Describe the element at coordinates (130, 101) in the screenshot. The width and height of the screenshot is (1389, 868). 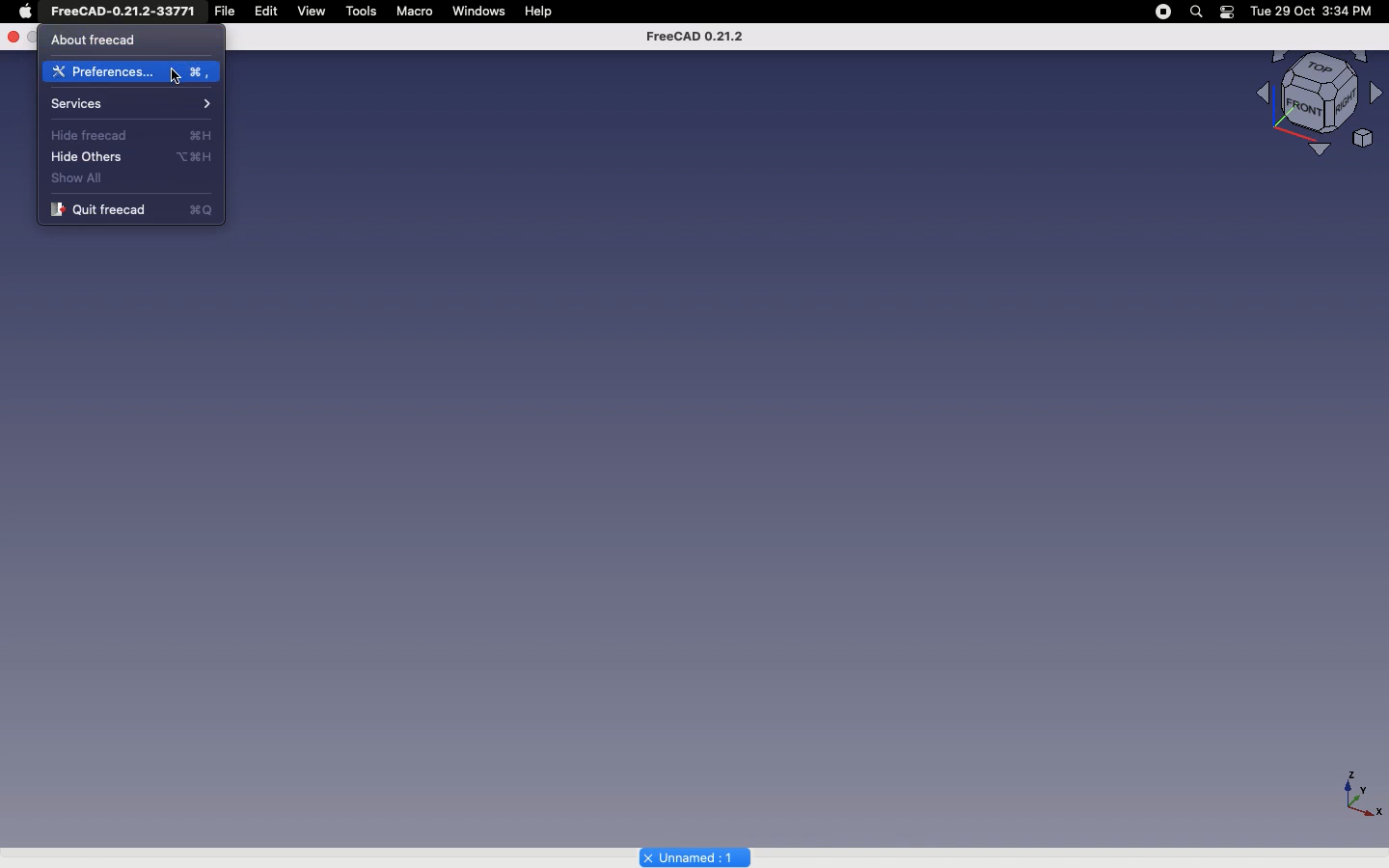
I see `Services` at that location.